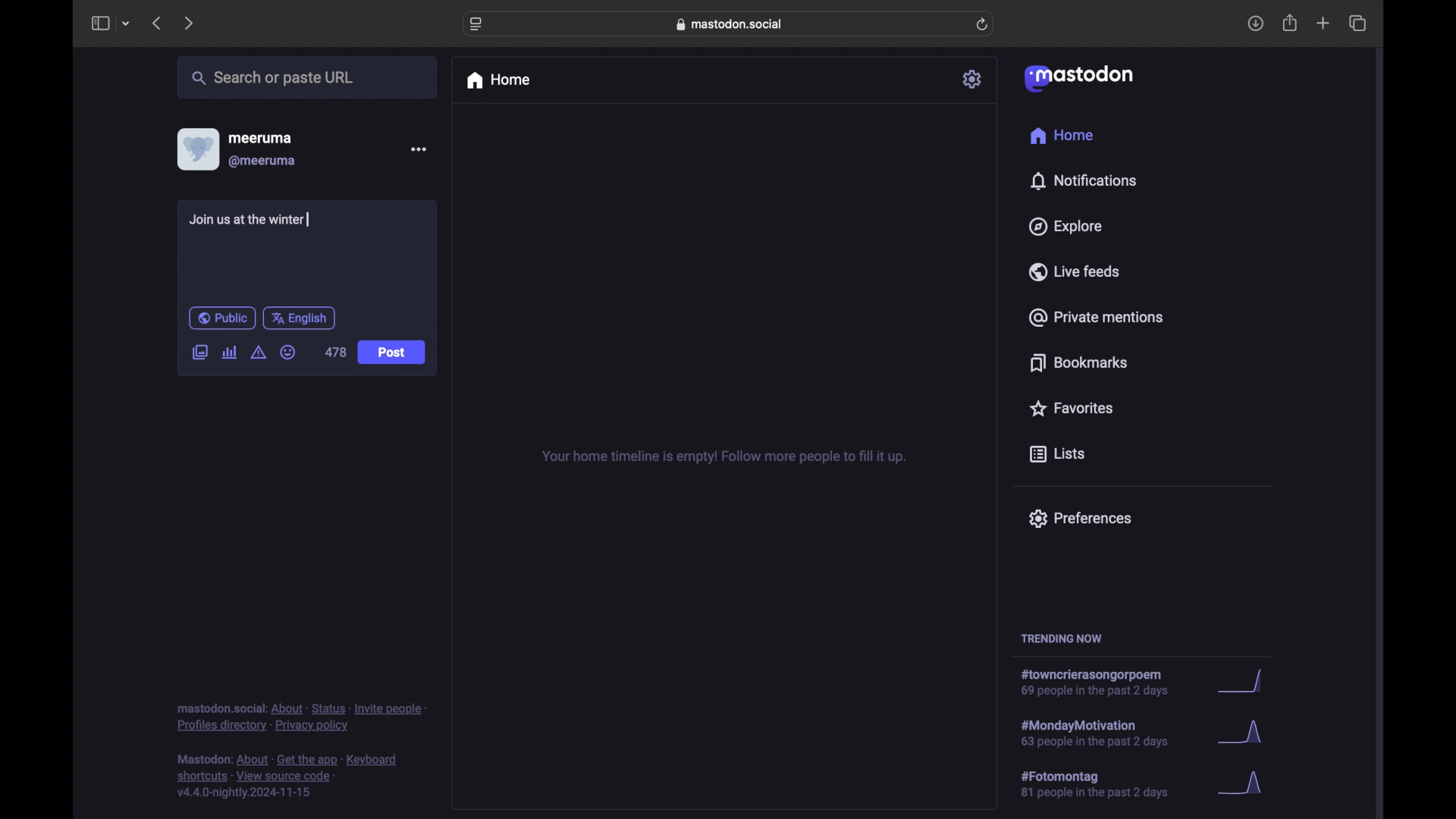 The image size is (1456, 819). Describe the element at coordinates (1323, 23) in the screenshot. I see `new tab` at that location.